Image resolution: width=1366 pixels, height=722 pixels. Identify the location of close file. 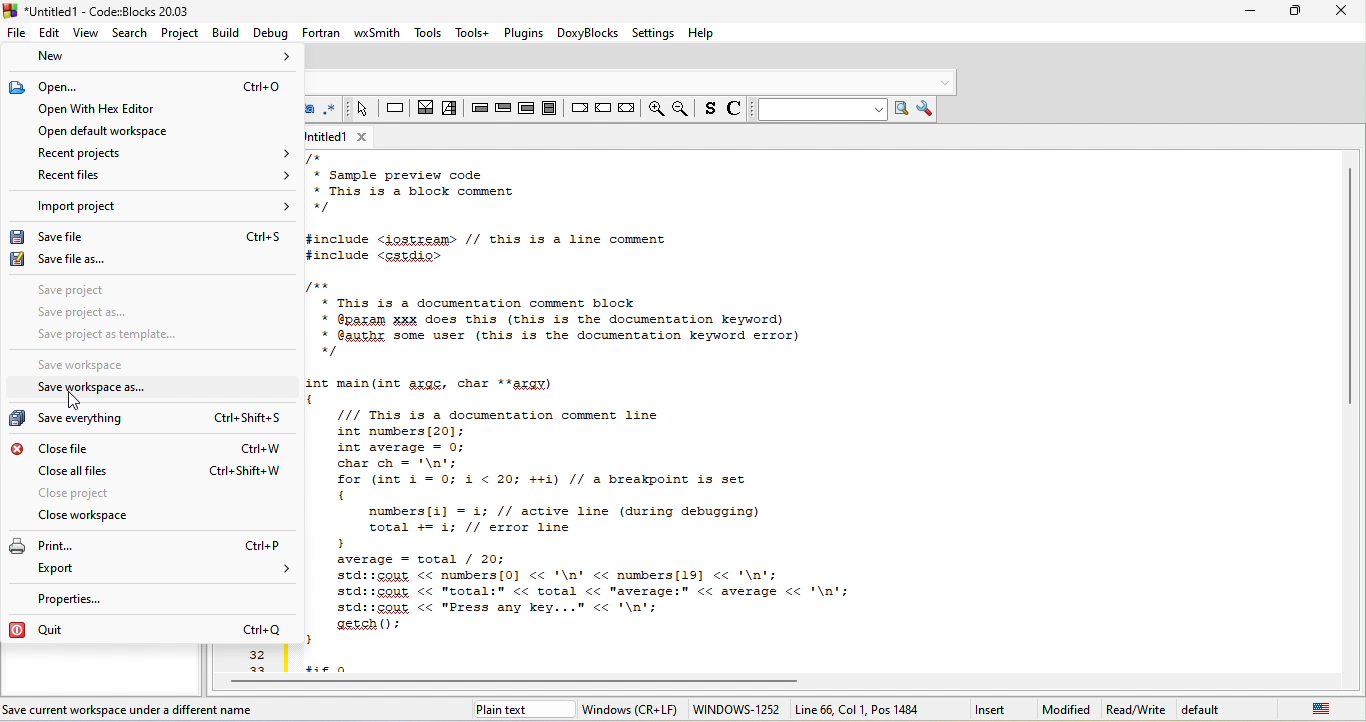
(152, 448).